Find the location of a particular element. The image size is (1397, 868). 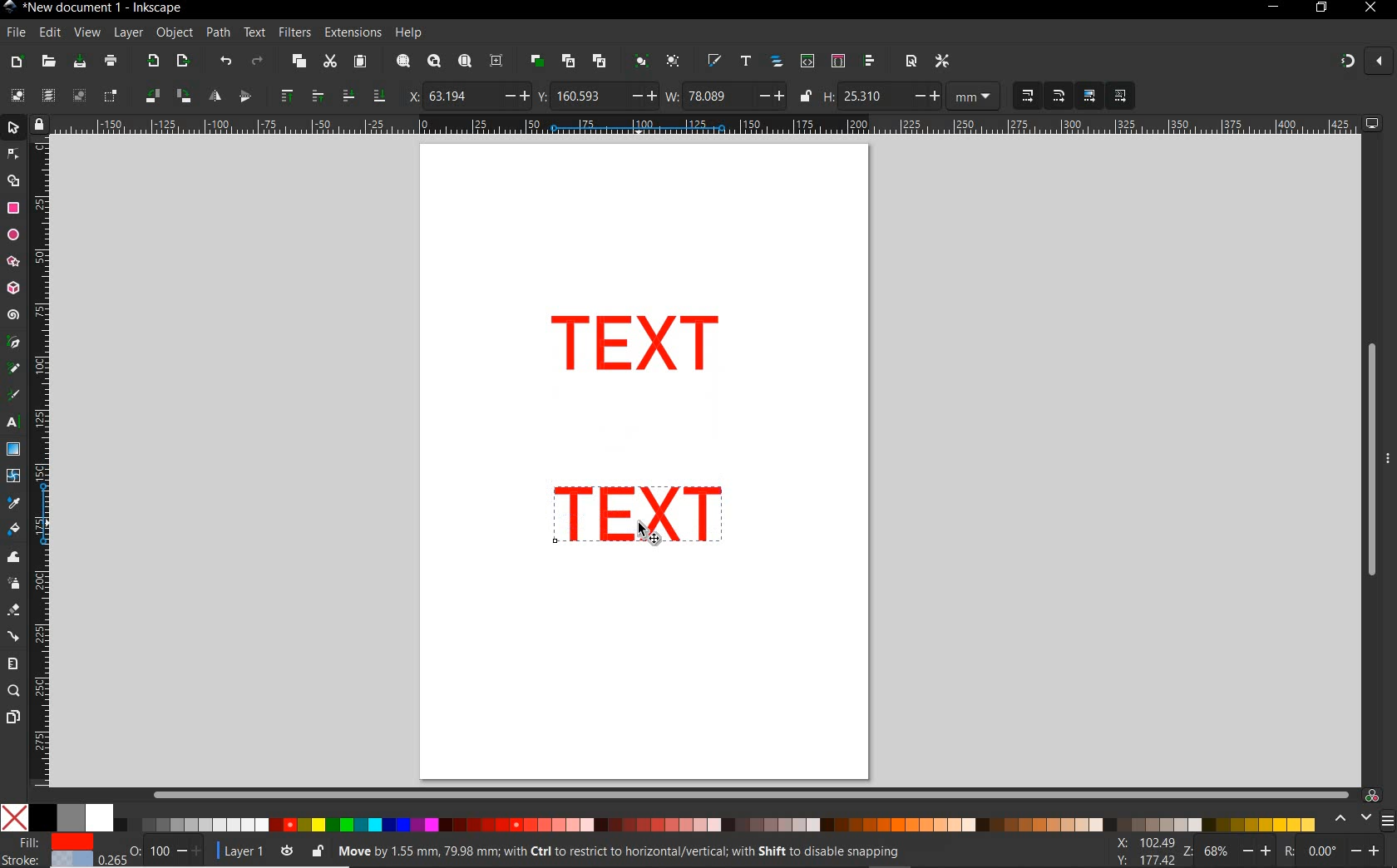

copy is located at coordinates (297, 62).